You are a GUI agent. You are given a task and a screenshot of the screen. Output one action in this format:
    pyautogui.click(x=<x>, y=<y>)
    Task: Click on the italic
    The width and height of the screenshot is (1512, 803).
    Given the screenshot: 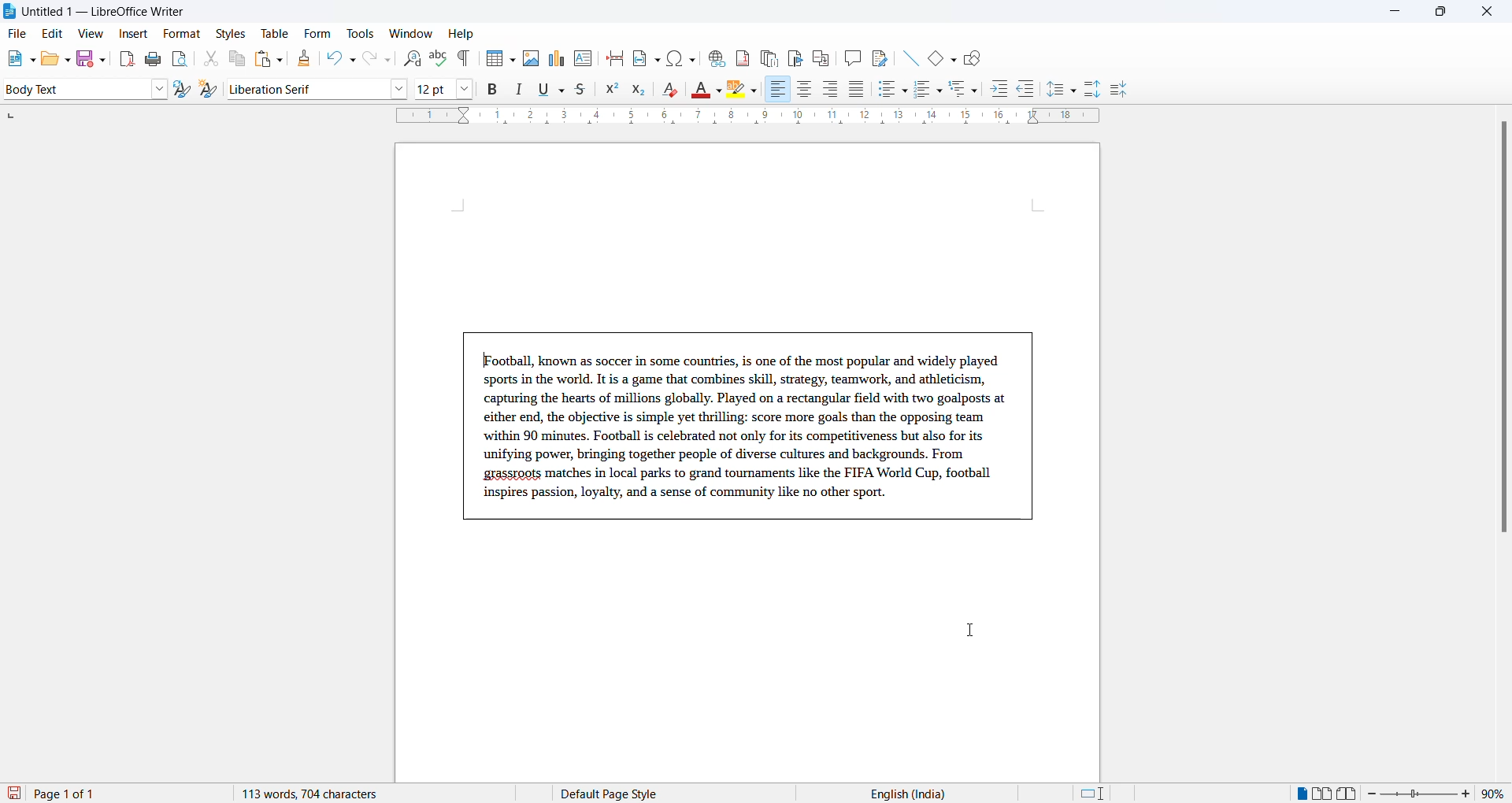 What is the action you would take?
    pyautogui.click(x=522, y=90)
    